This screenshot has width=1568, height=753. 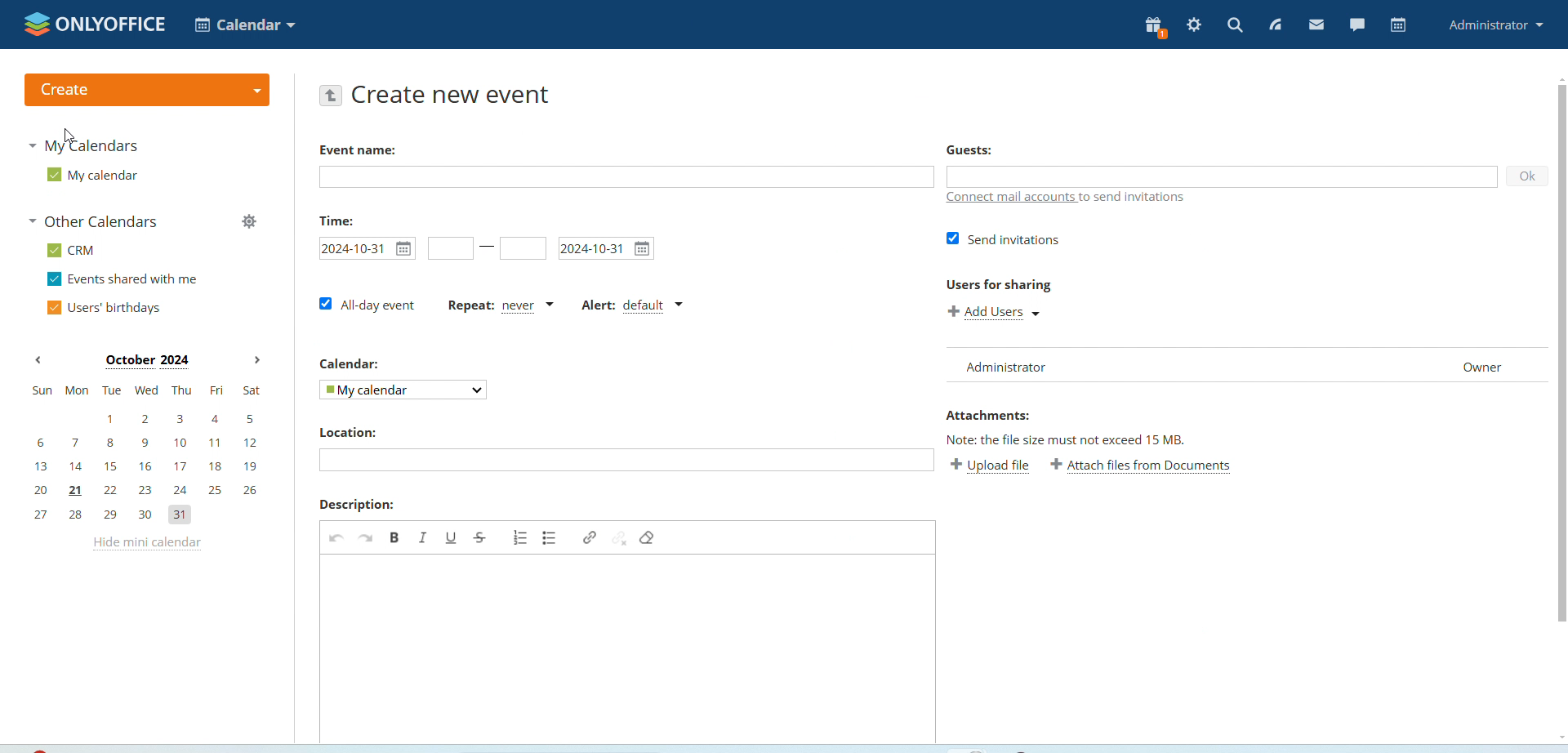 What do you see at coordinates (519, 537) in the screenshot?
I see `add numbered list` at bounding box center [519, 537].